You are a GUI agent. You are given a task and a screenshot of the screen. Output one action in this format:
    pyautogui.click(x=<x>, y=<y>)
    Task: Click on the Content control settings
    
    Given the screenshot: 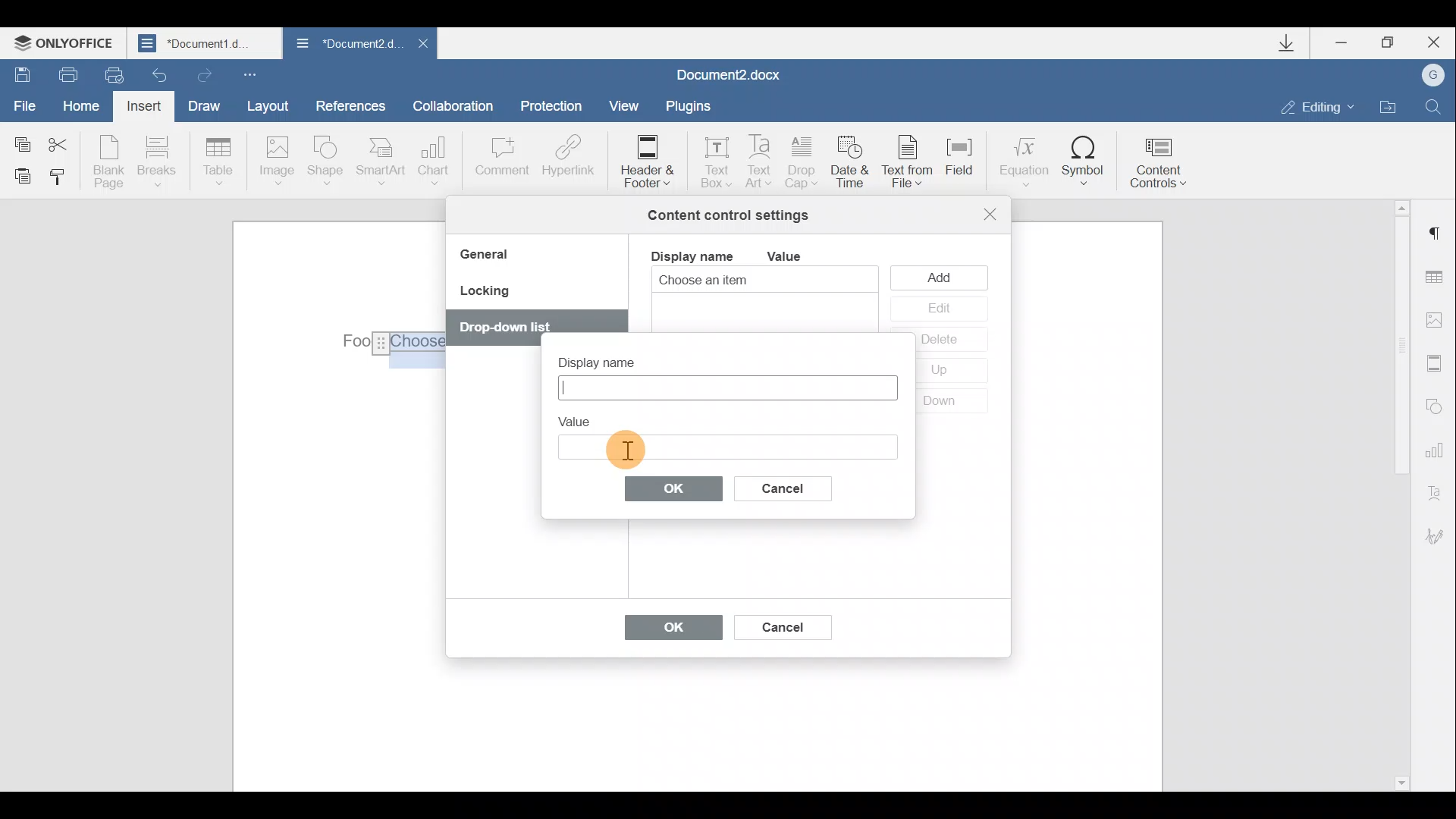 What is the action you would take?
    pyautogui.click(x=728, y=215)
    